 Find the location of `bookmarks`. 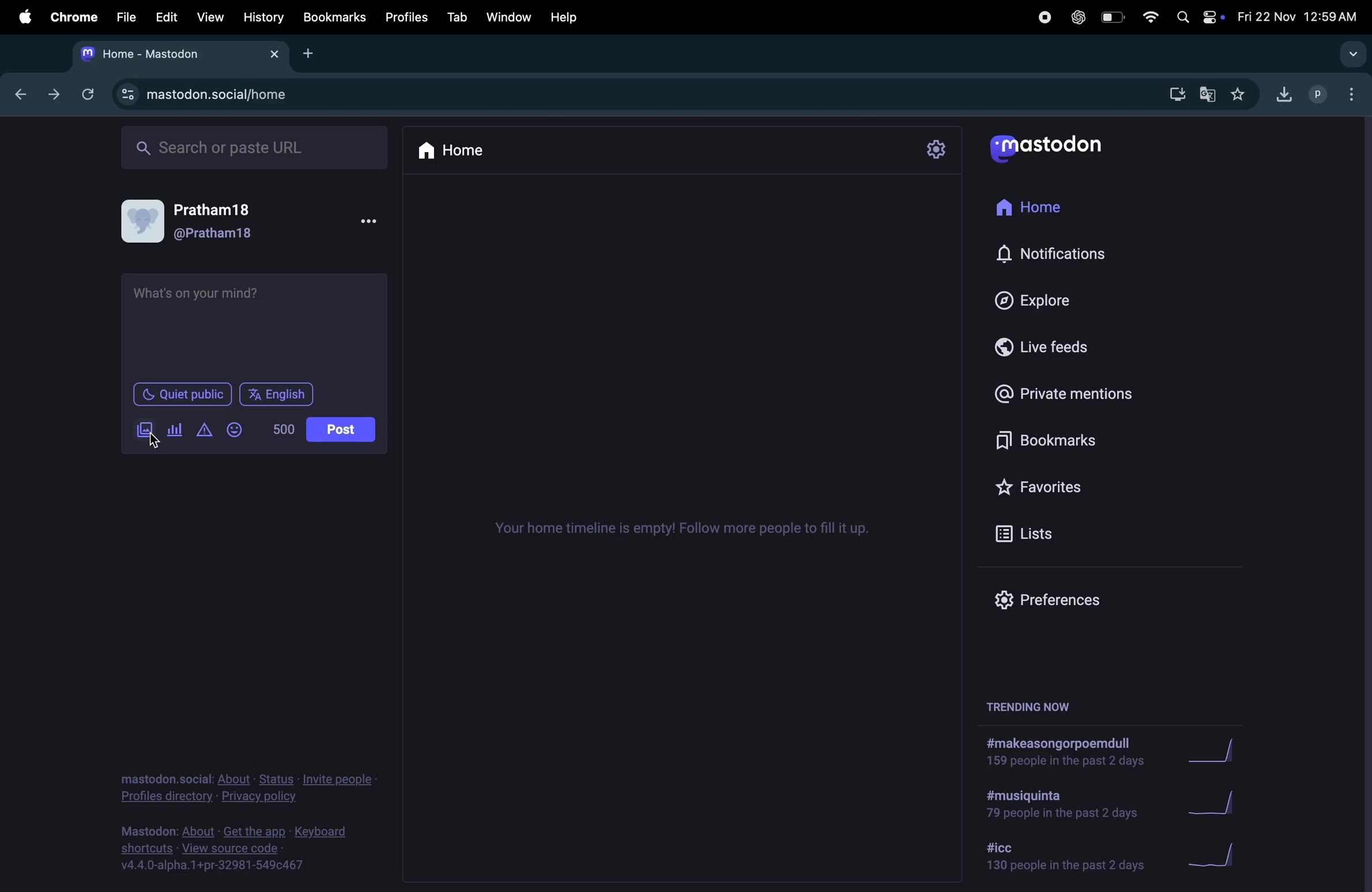

bookmarks is located at coordinates (1084, 440).